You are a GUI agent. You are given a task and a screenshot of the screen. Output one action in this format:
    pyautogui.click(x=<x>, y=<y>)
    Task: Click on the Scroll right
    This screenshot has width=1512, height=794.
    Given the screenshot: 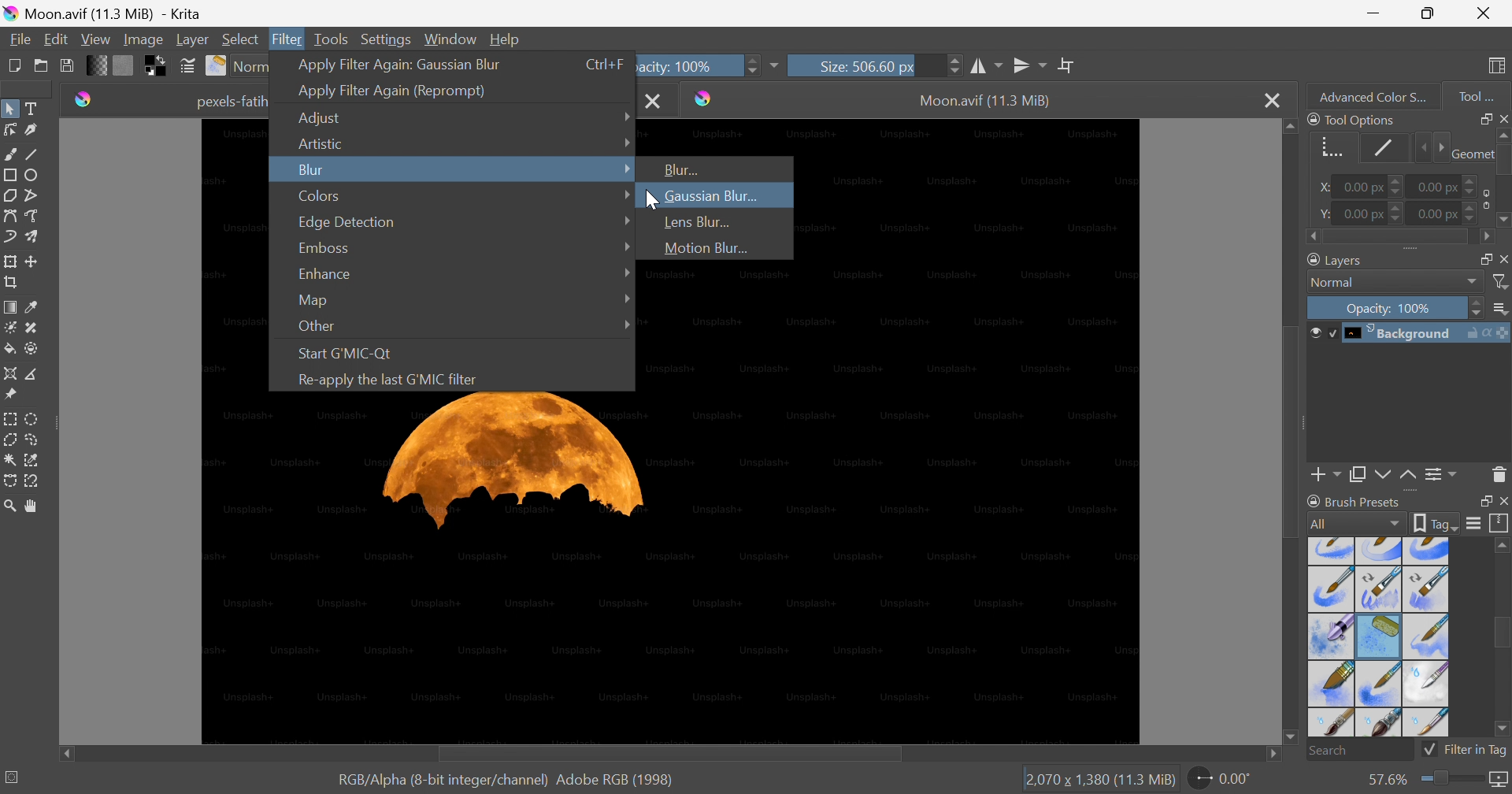 What is the action you would take?
    pyautogui.click(x=1486, y=237)
    